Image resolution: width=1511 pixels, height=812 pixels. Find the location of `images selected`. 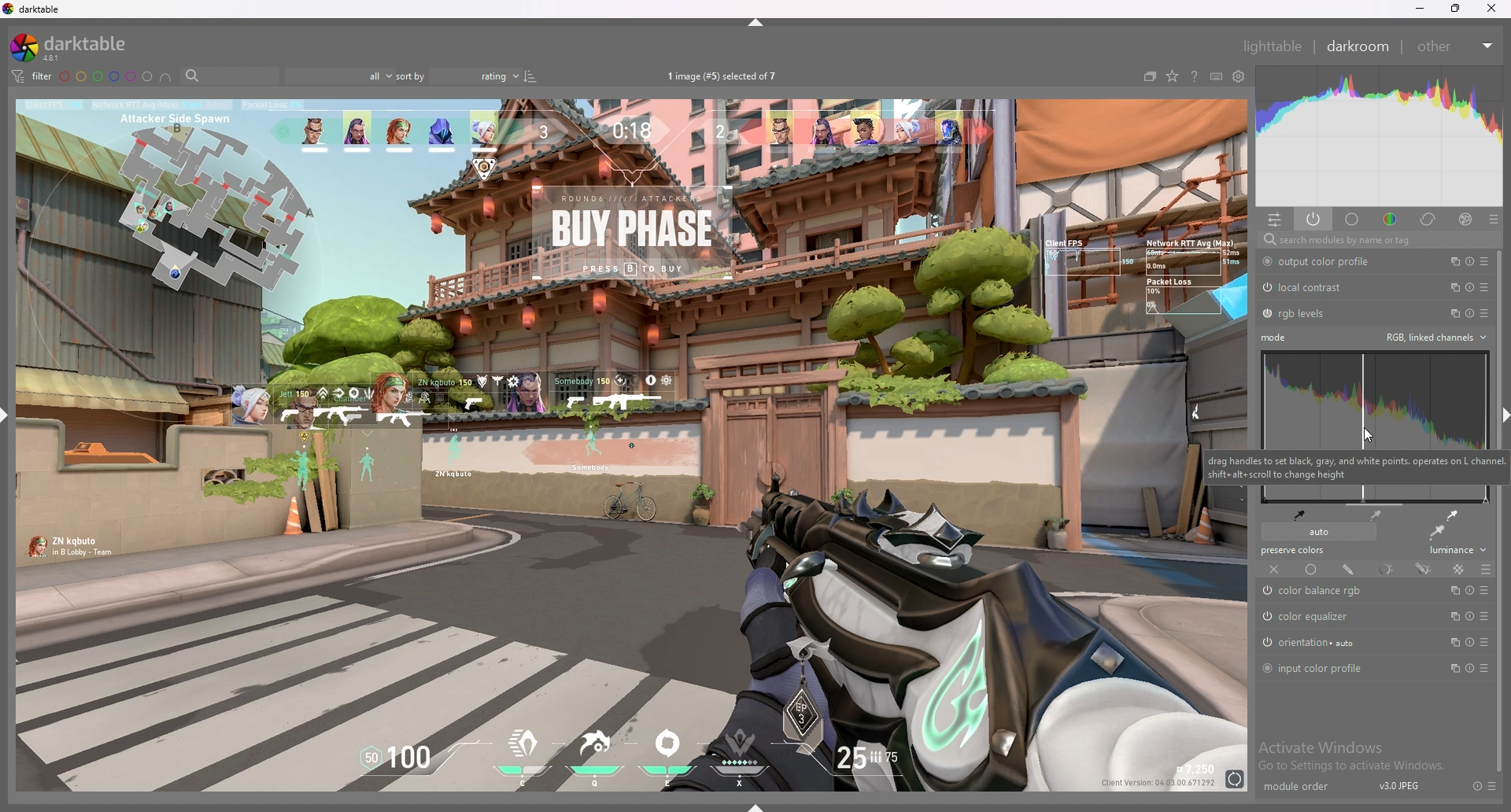

images selected is located at coordinates (722, 76).